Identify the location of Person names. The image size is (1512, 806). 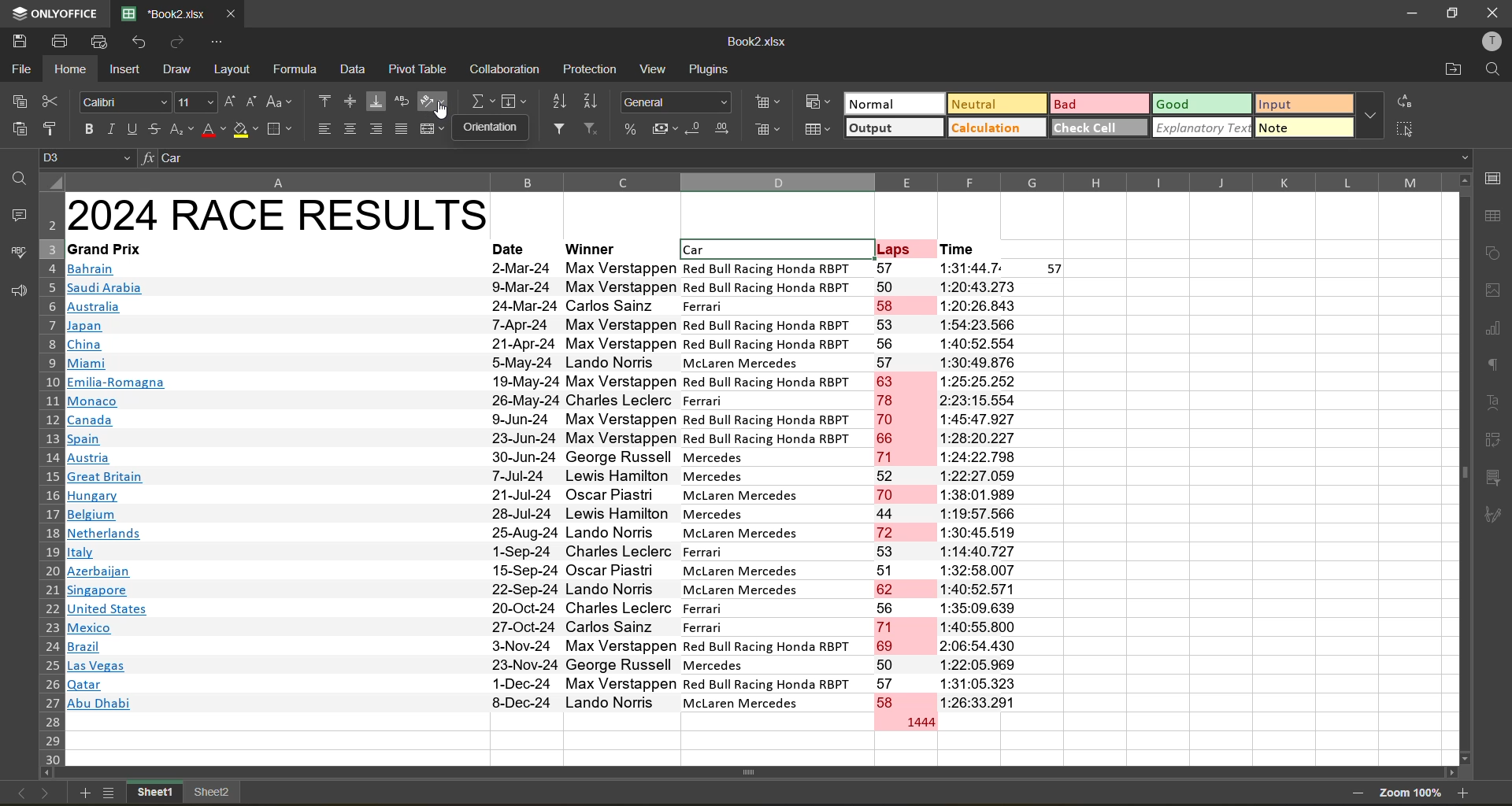
(621, 485).